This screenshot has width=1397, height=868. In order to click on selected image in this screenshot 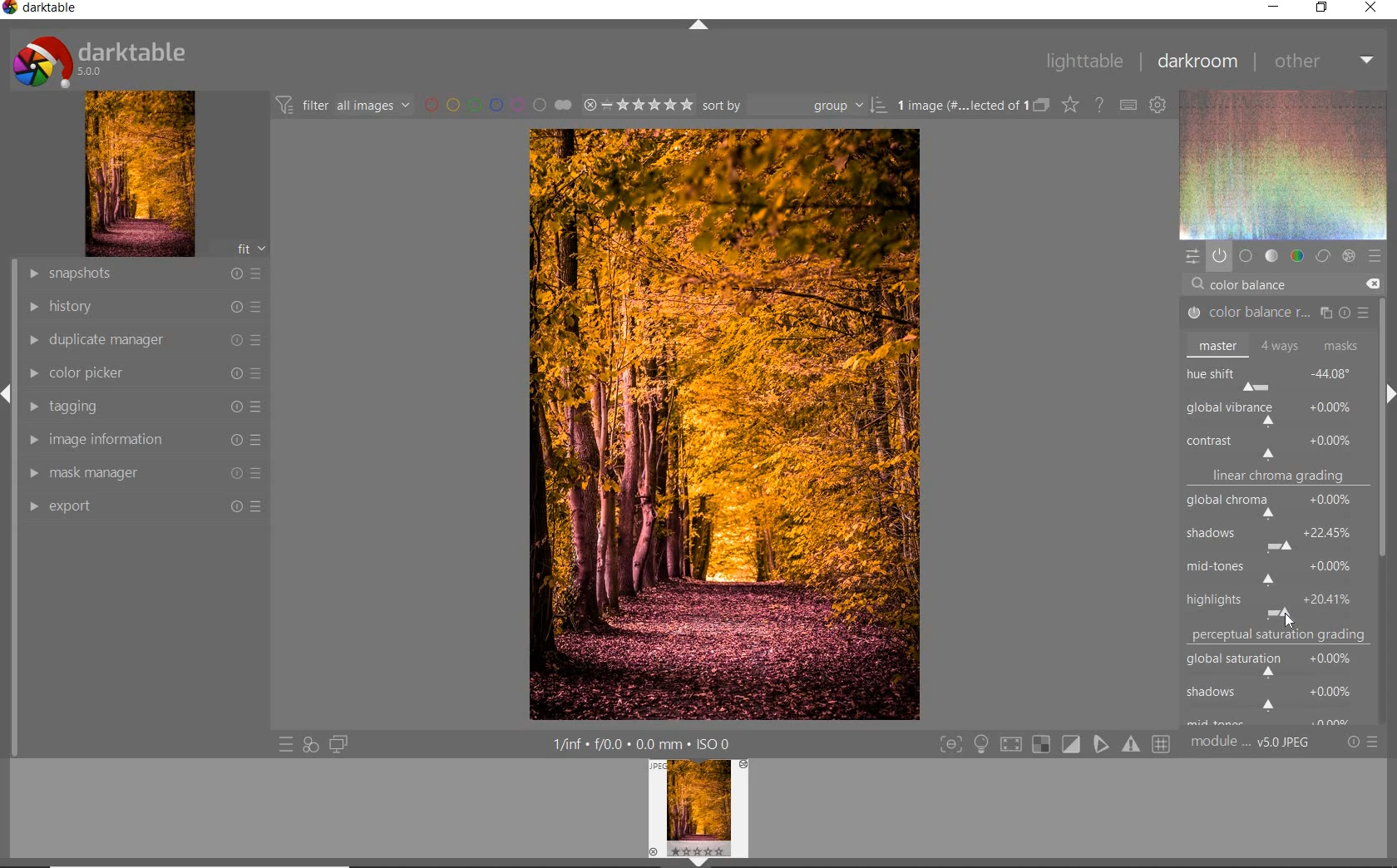, I will do `click(723, 425)`.